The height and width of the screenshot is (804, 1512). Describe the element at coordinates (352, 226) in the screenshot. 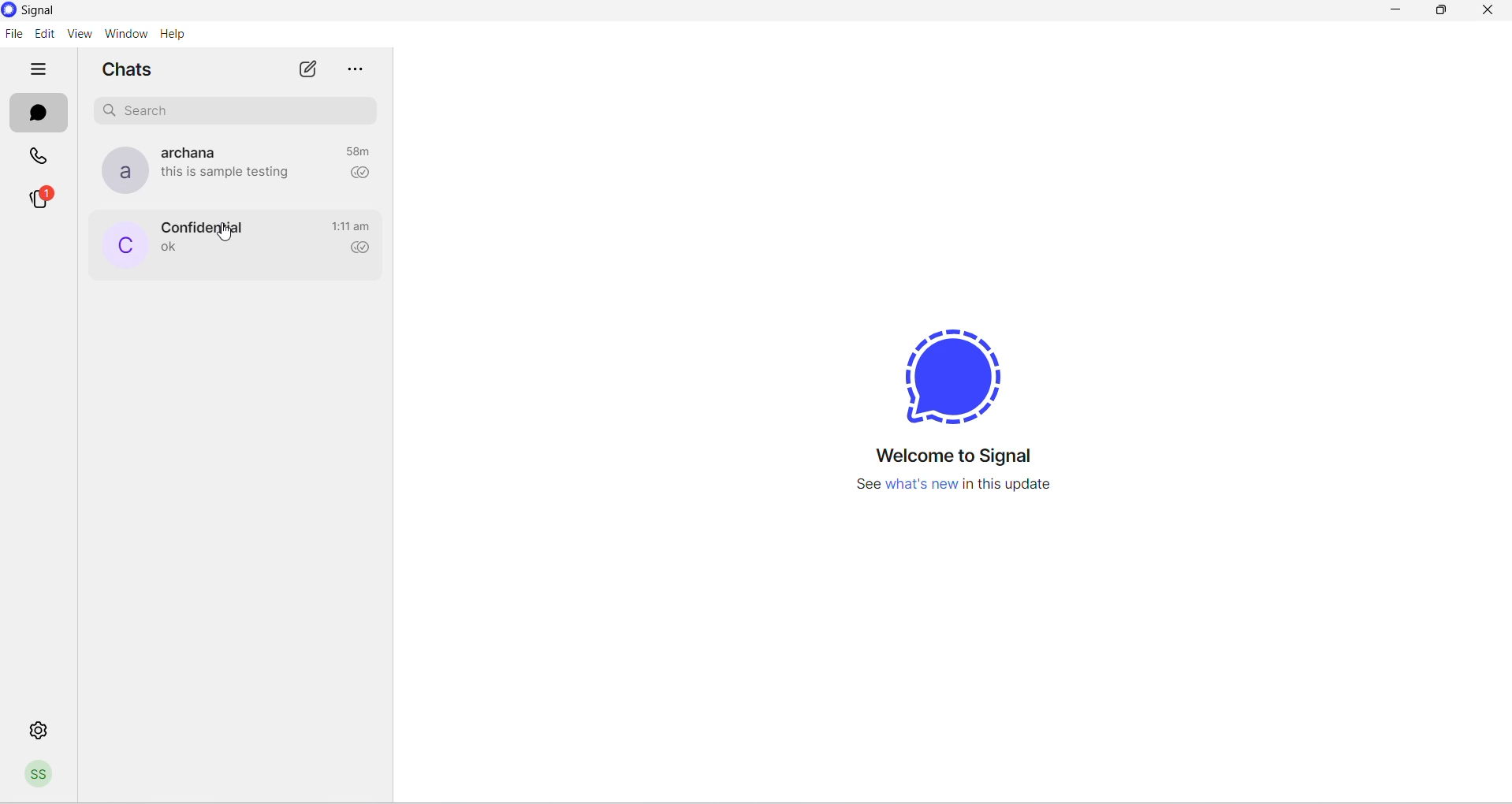

I see `last message time` at that location.